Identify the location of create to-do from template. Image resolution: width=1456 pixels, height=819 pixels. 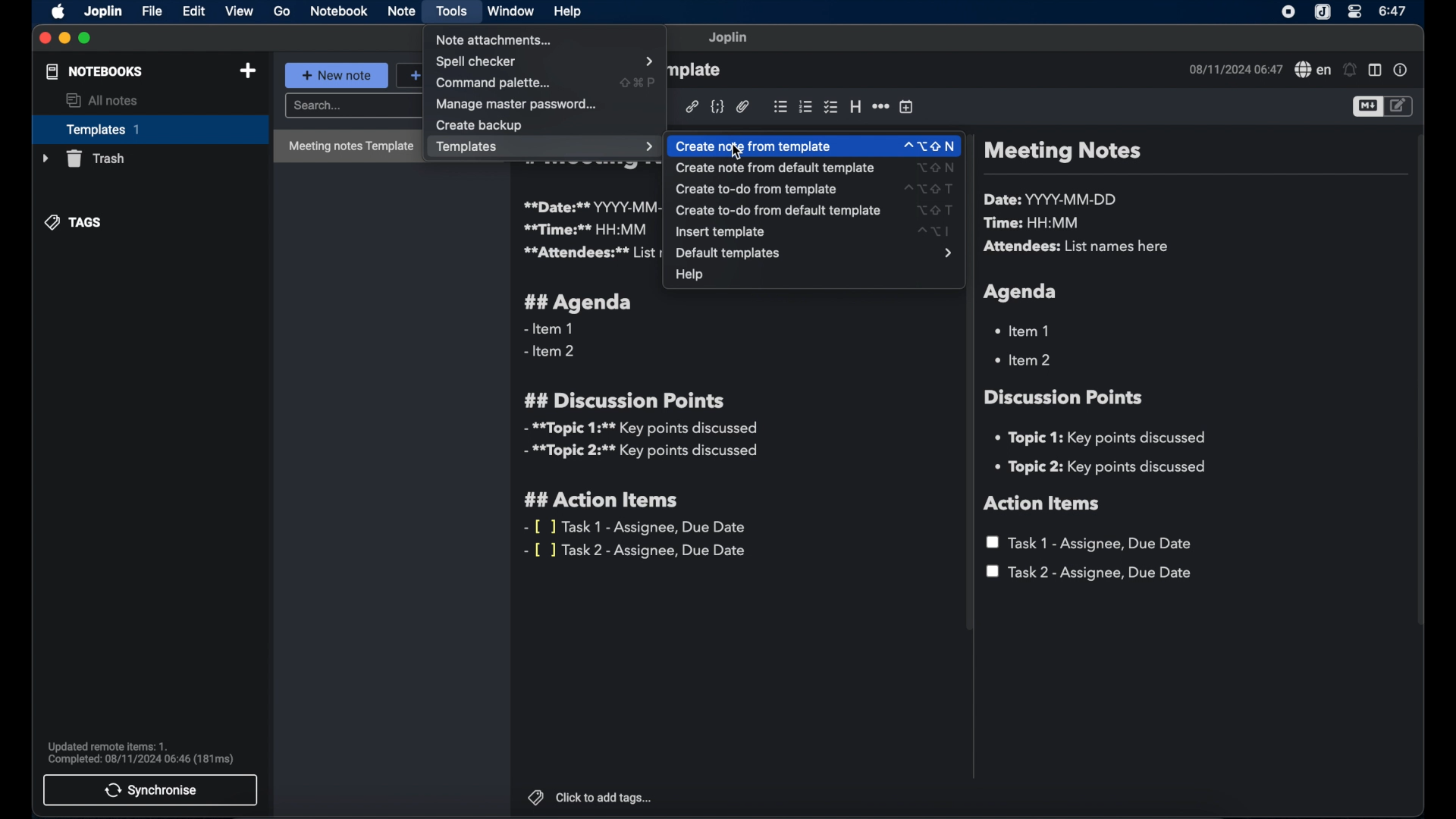
(821, 189).